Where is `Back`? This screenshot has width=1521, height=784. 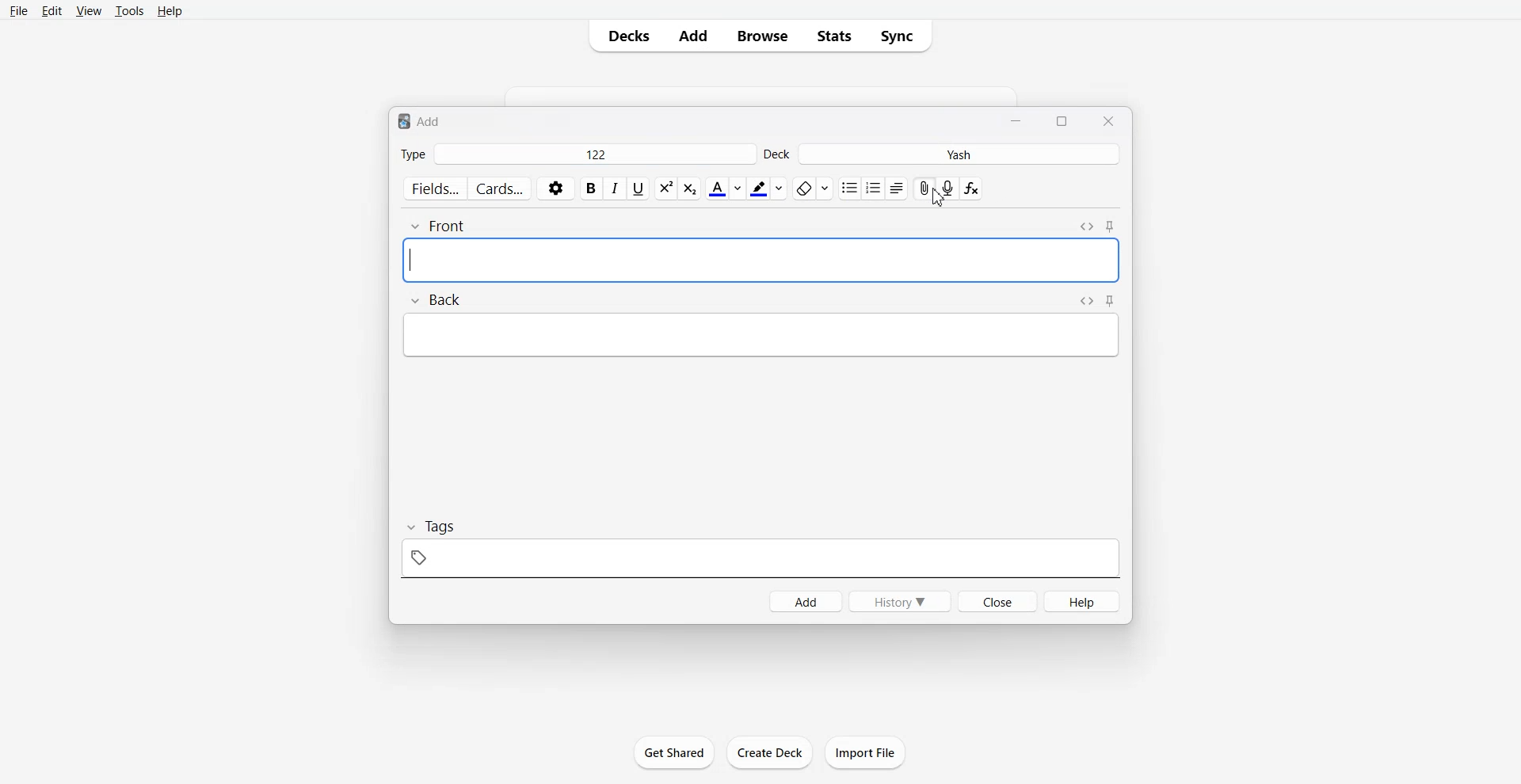
Back is located at coordinates (440, 299).